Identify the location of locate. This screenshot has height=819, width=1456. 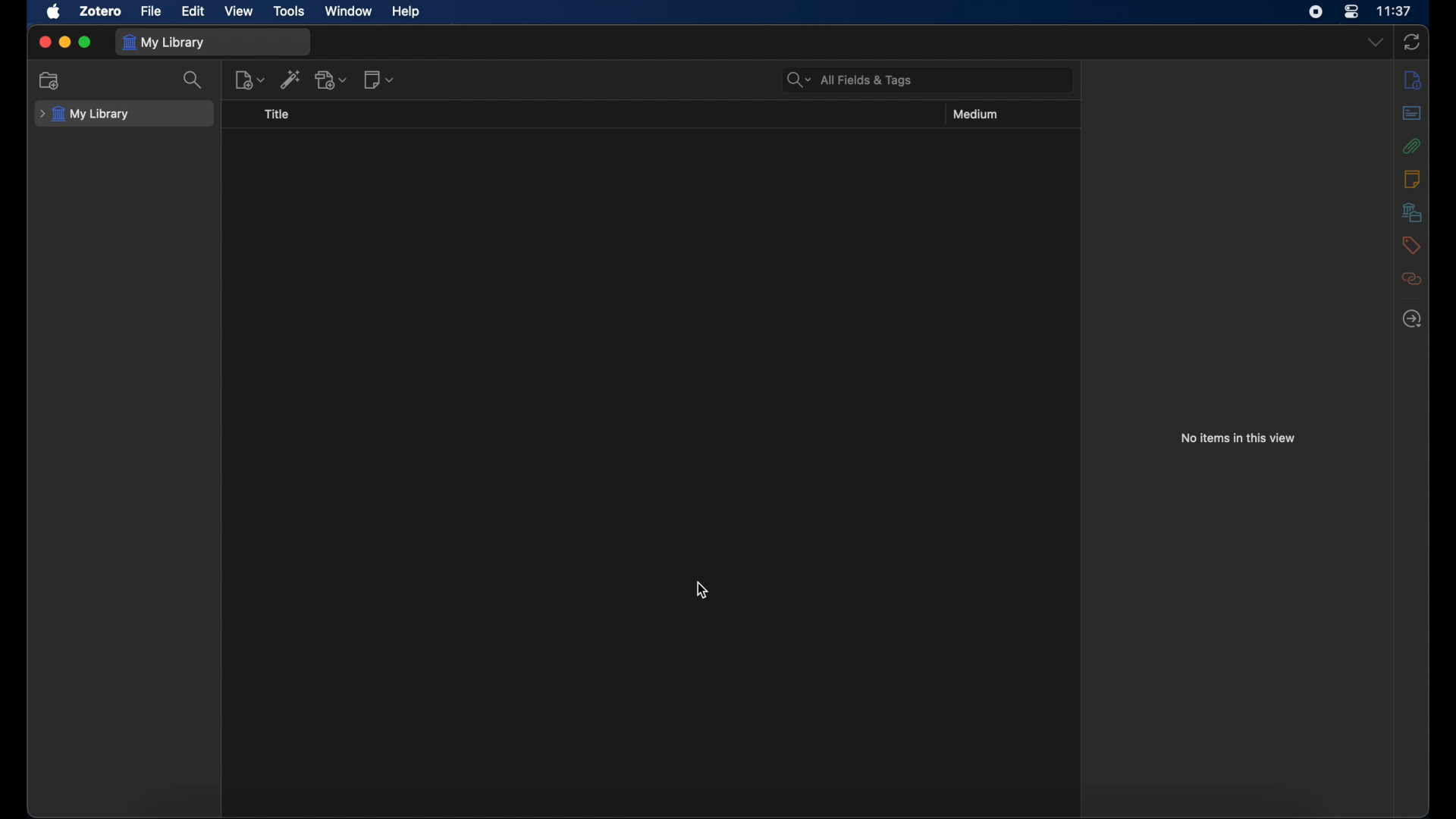
(1411, 318).